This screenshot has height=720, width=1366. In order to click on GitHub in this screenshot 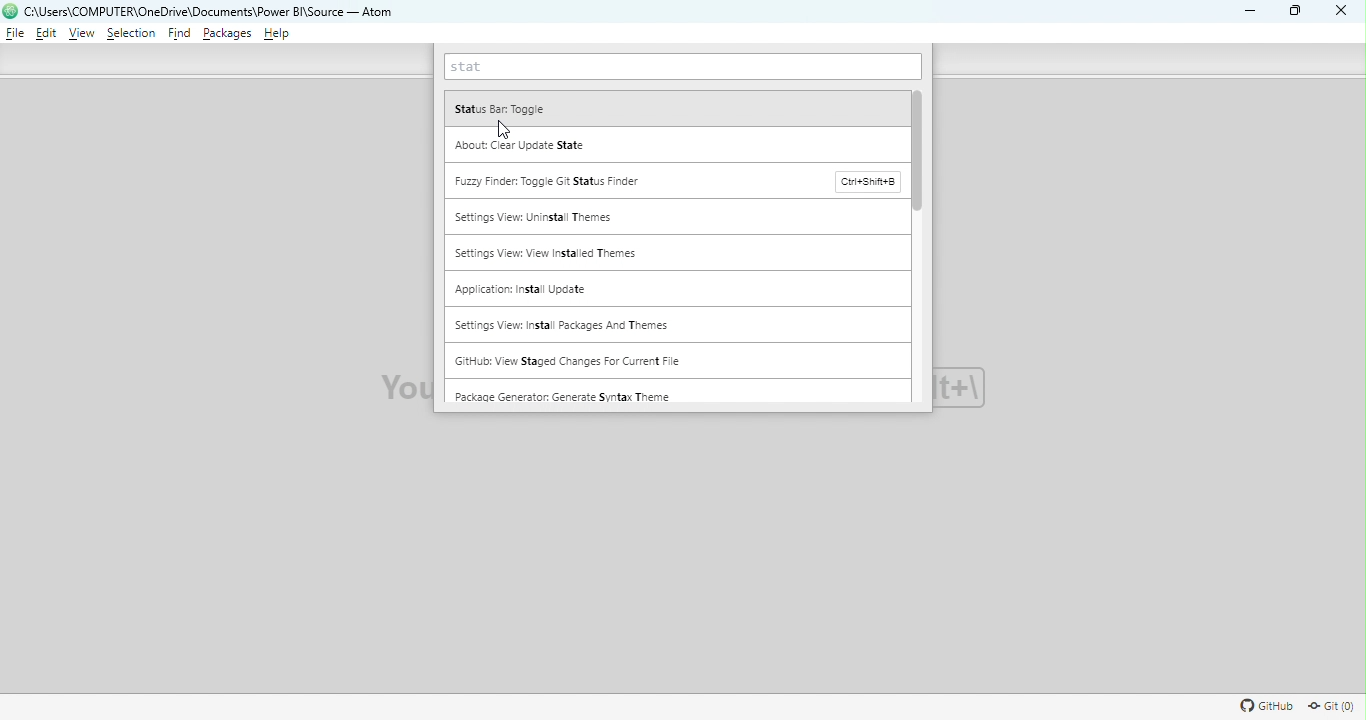, I will do `click(1264, 708)`.